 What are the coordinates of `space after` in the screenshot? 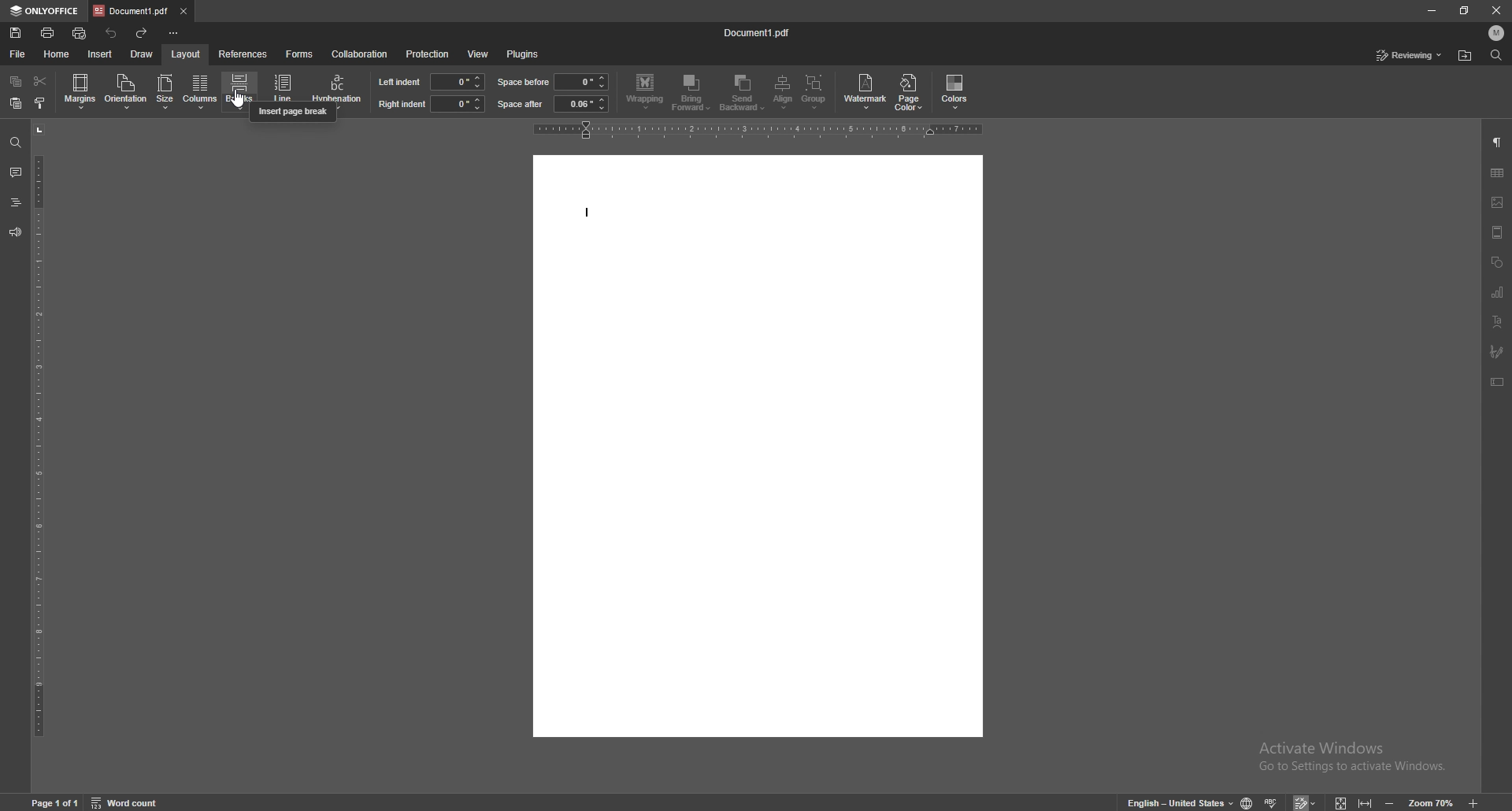 It's located at (521, 104).